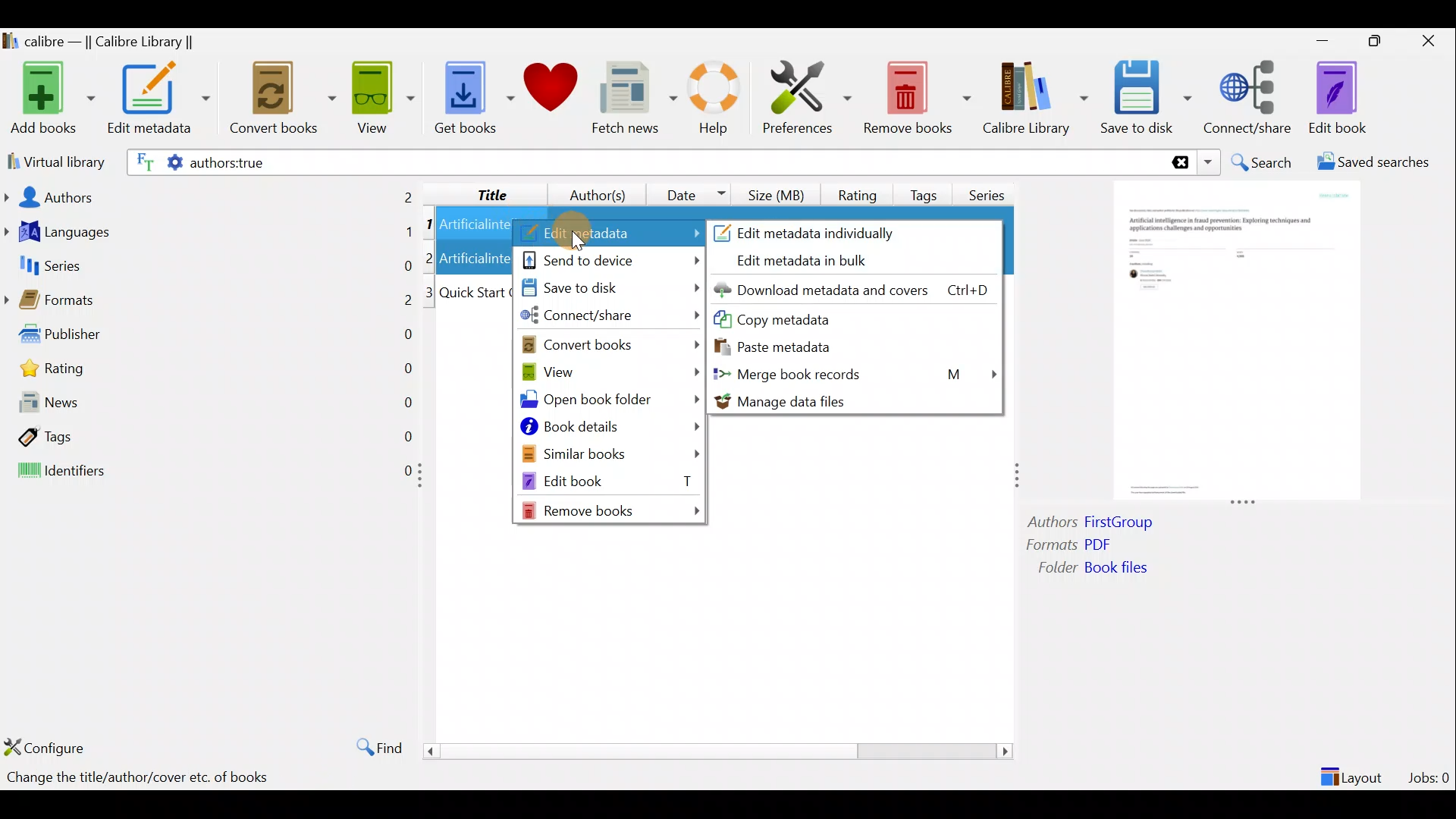  I want to click on Edit book, so click(609, 480).